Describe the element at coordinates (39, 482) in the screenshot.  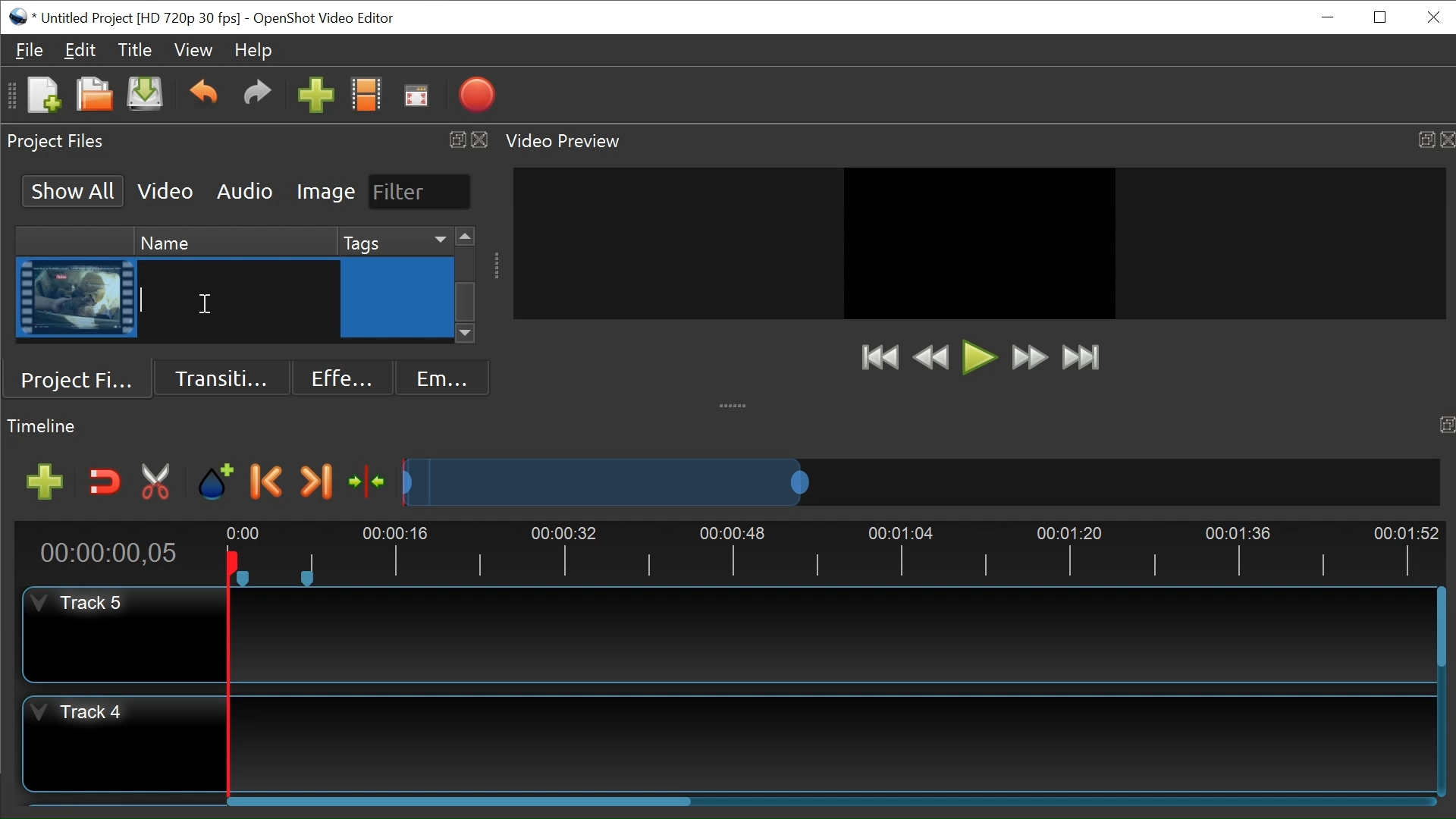
I see `Add Track` at that location.